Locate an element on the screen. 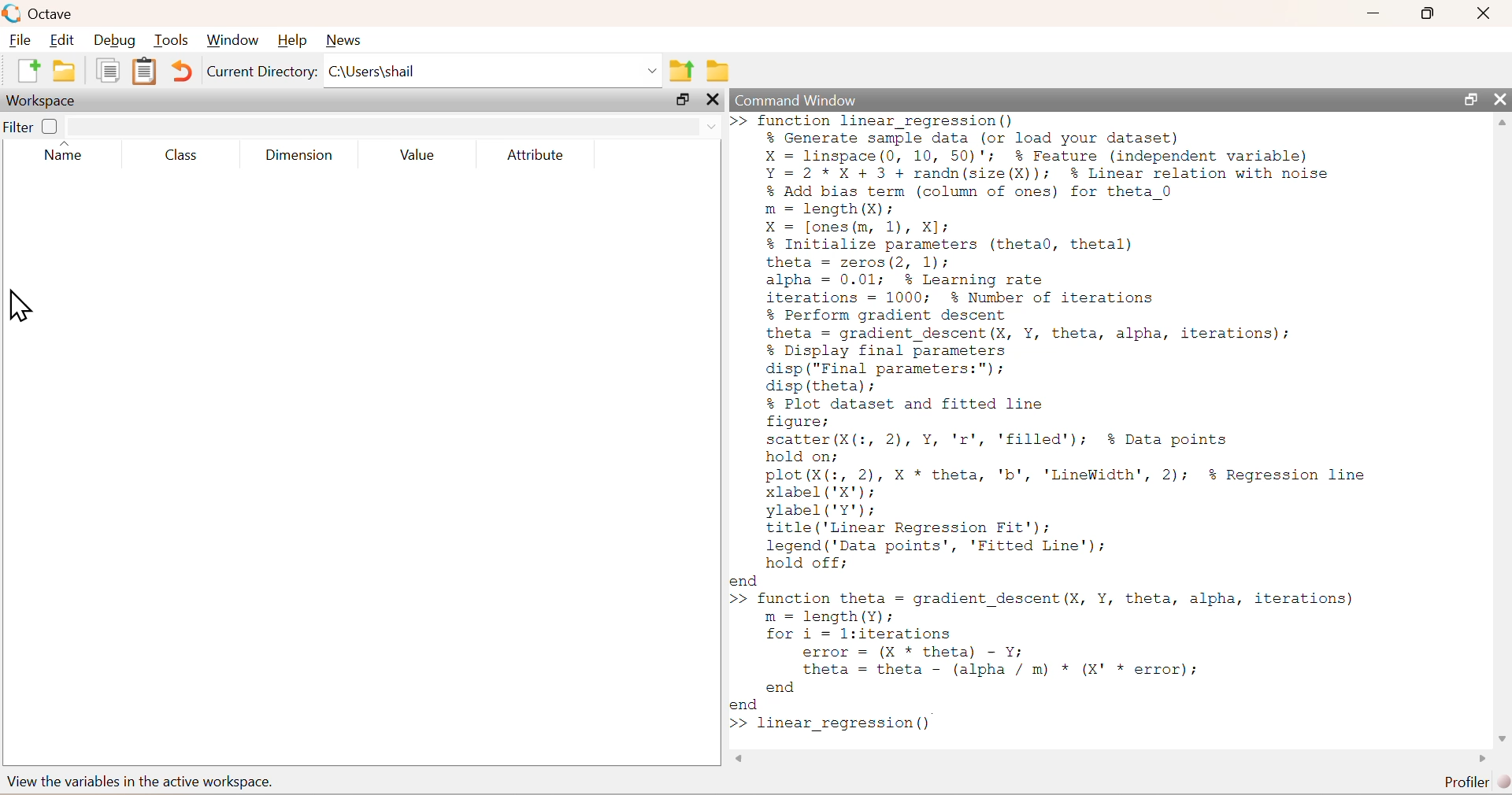  Window is located at coordinates (234, 39).